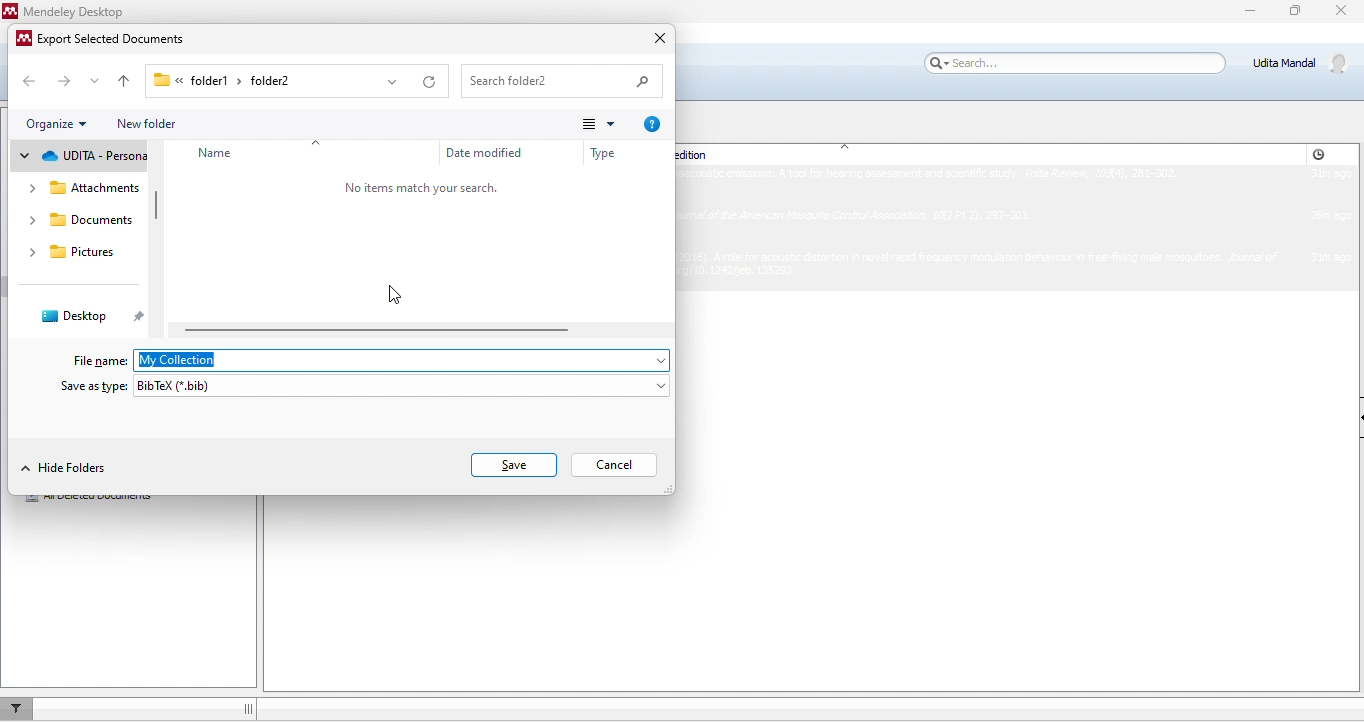  I want to click on change view, so click(593, 123).